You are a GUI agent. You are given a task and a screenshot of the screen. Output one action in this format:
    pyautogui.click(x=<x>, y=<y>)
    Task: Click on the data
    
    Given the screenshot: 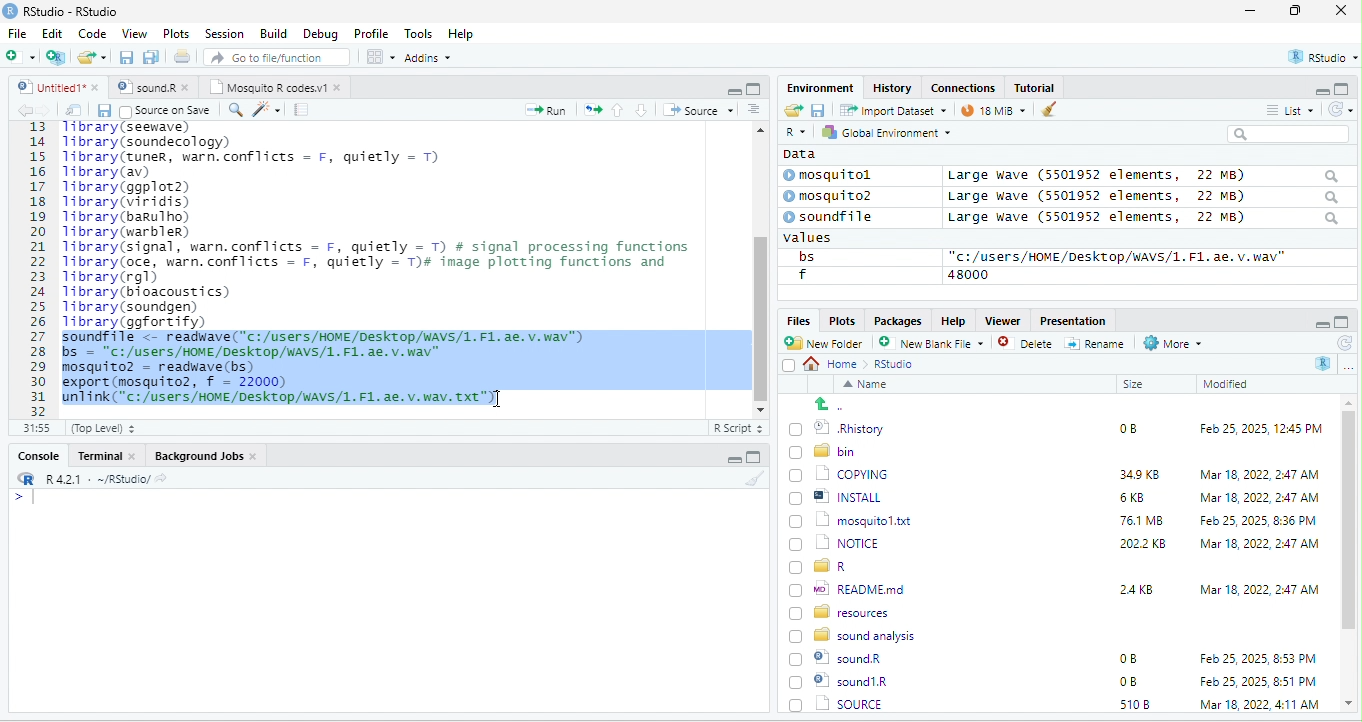 What is the action you would take?
    pyautogui.click(x=797, y=153)
    